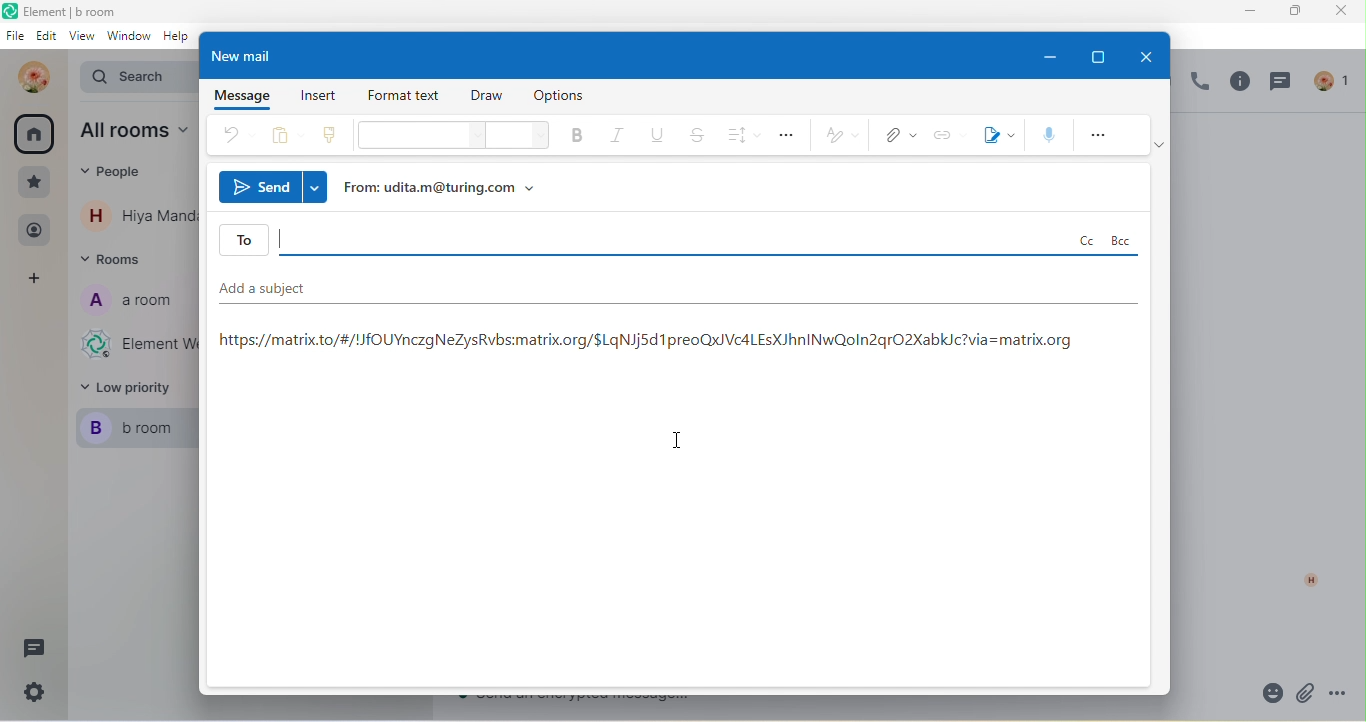  Describe the element at coordinates (82, 11) in the screenshot. I see `Element | b room` at that location.